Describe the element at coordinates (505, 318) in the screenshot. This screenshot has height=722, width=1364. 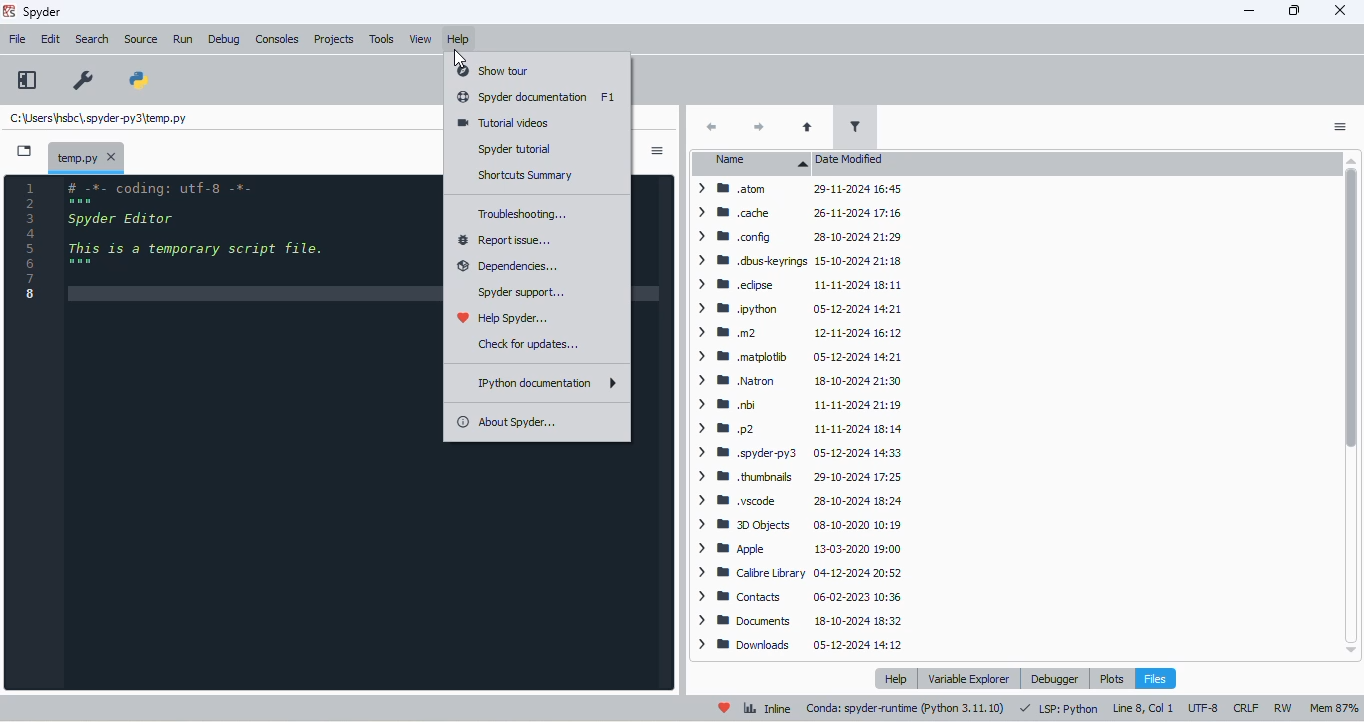
I see `help spyder` at that location.